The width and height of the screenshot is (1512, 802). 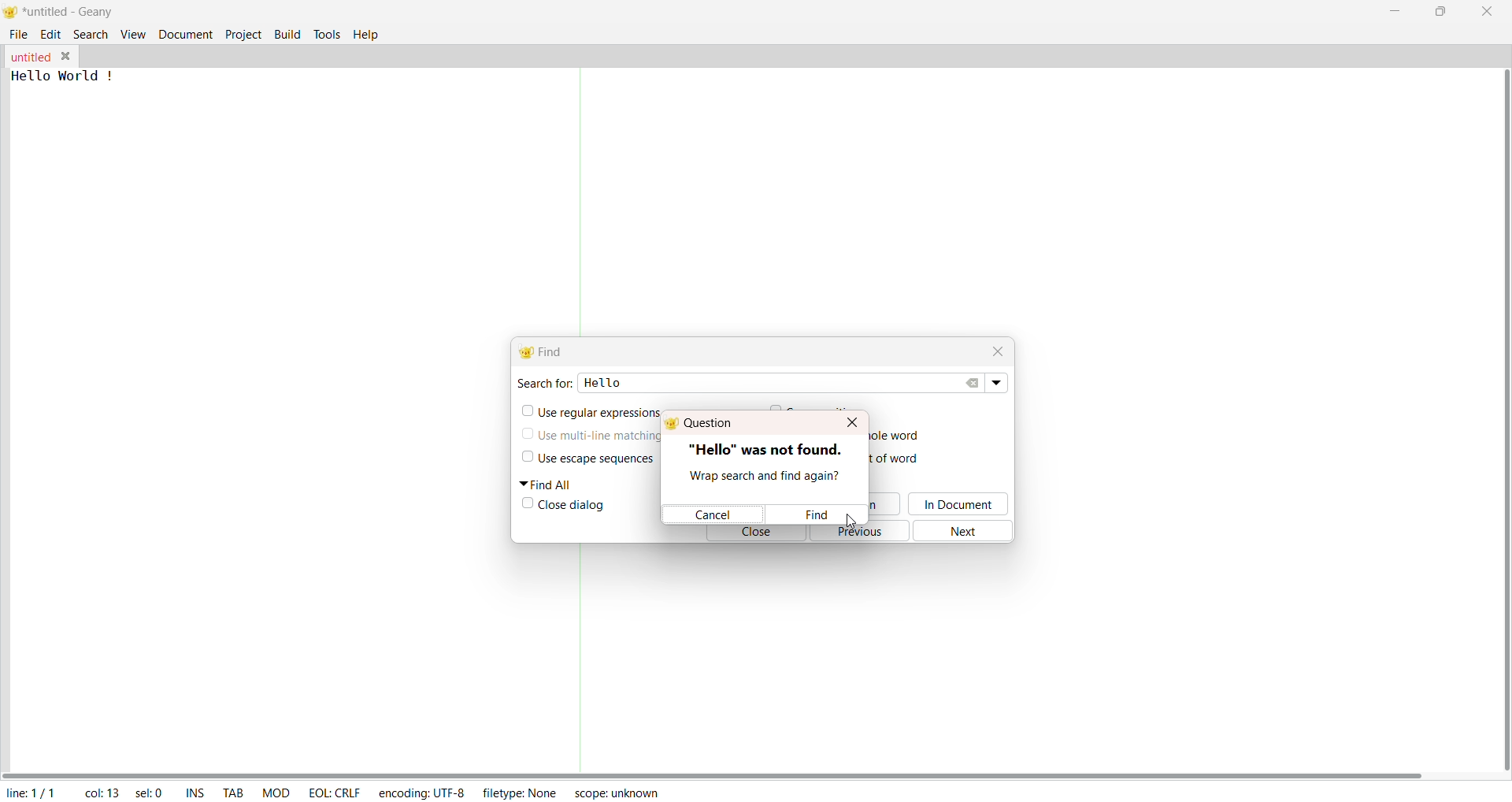 What do you see at coordinates (883, 505) in the screenshot?
I see `In Session` at bounding box center [883, 505].